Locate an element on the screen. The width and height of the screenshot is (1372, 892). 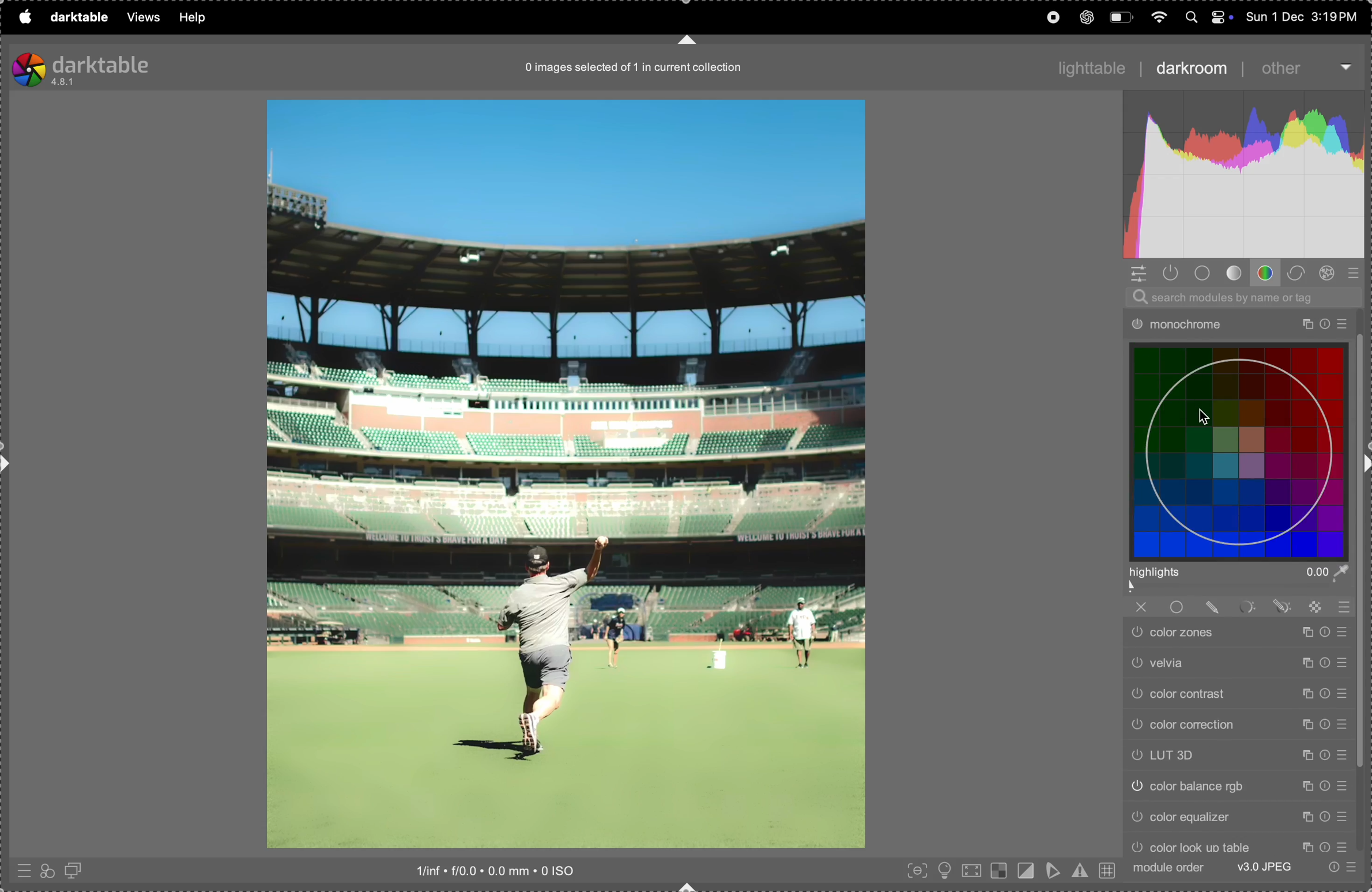
close is located at coordinates (1141, 607).